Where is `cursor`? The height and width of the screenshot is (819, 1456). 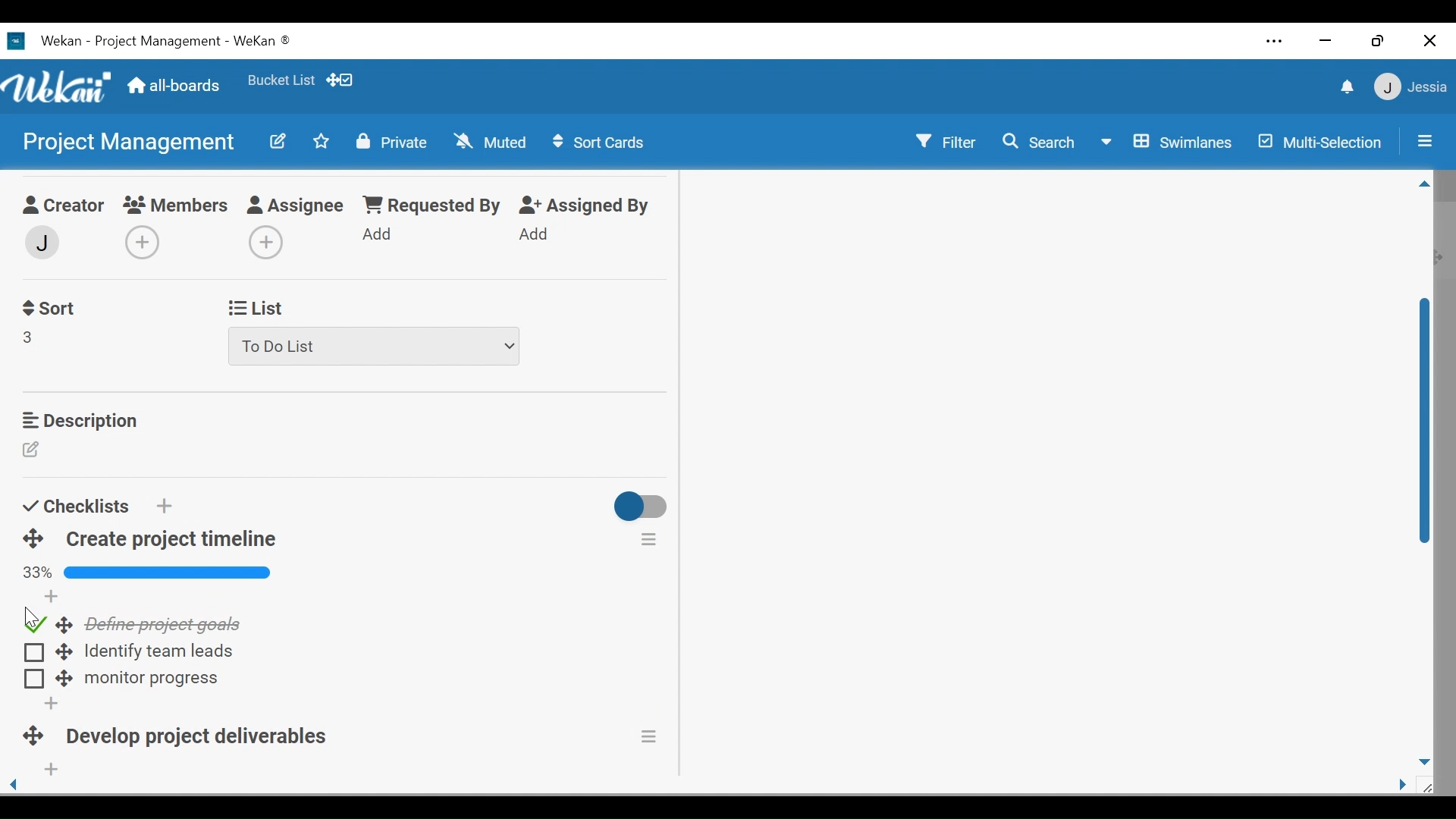
cursor is located at coordinates (20, 614).